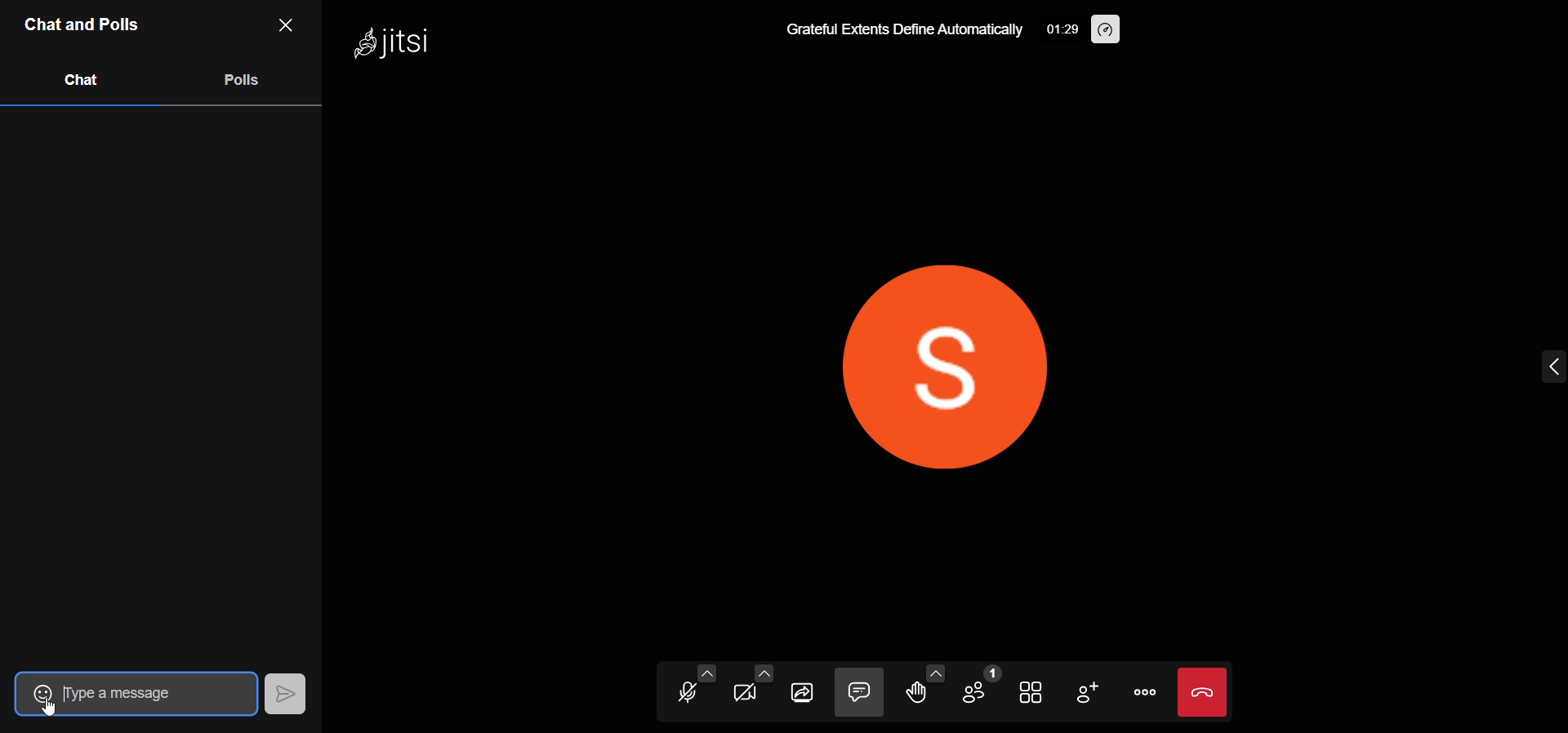 This screenshot has width=1568, height=733. What do you see at coordinates (858, 692) in the screenshot?
I see `chat` at bounding box center [858, 692].